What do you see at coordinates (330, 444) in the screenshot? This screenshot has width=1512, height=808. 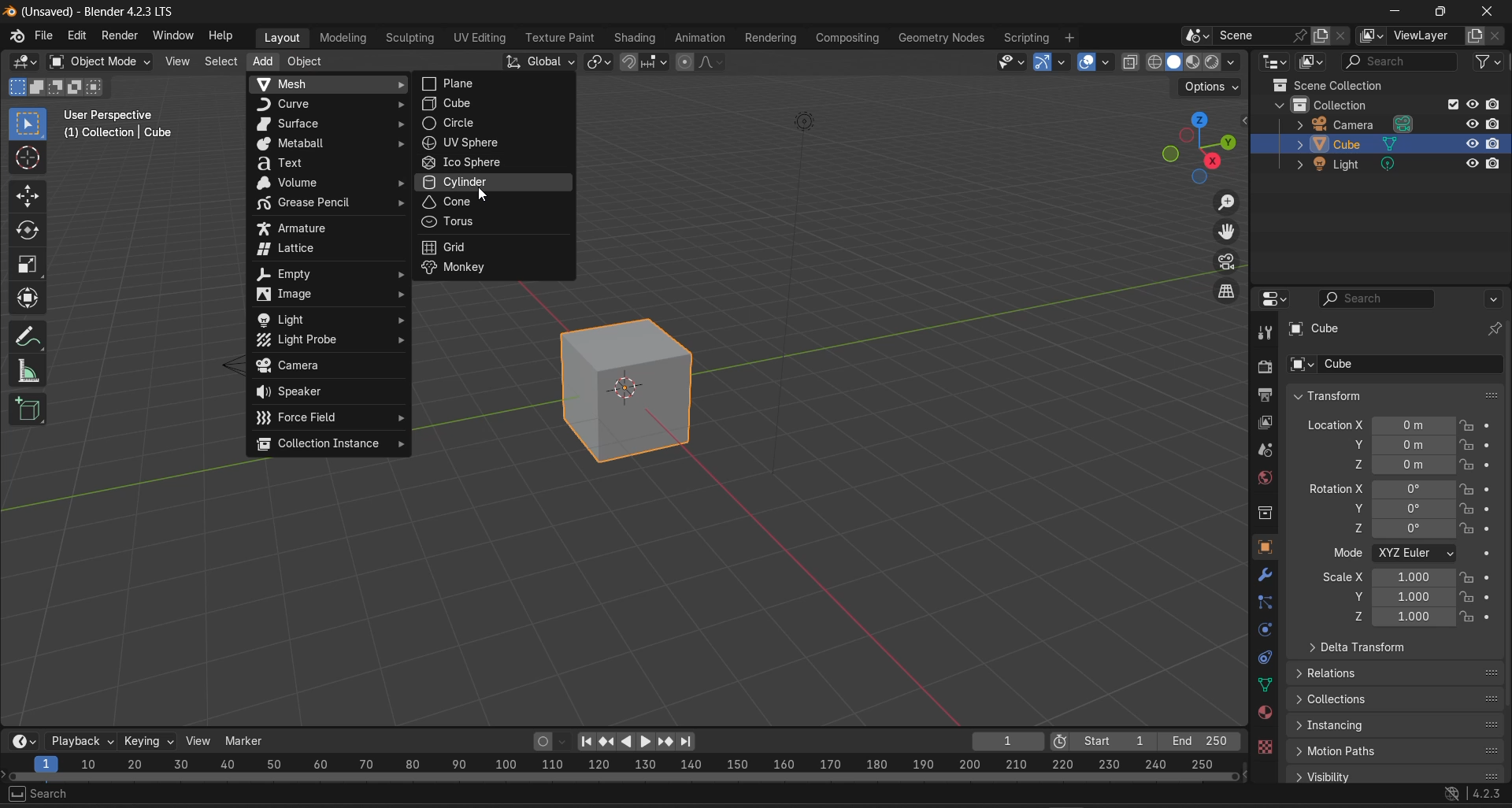 I see `collection instance` at bounding box center [330, 444].